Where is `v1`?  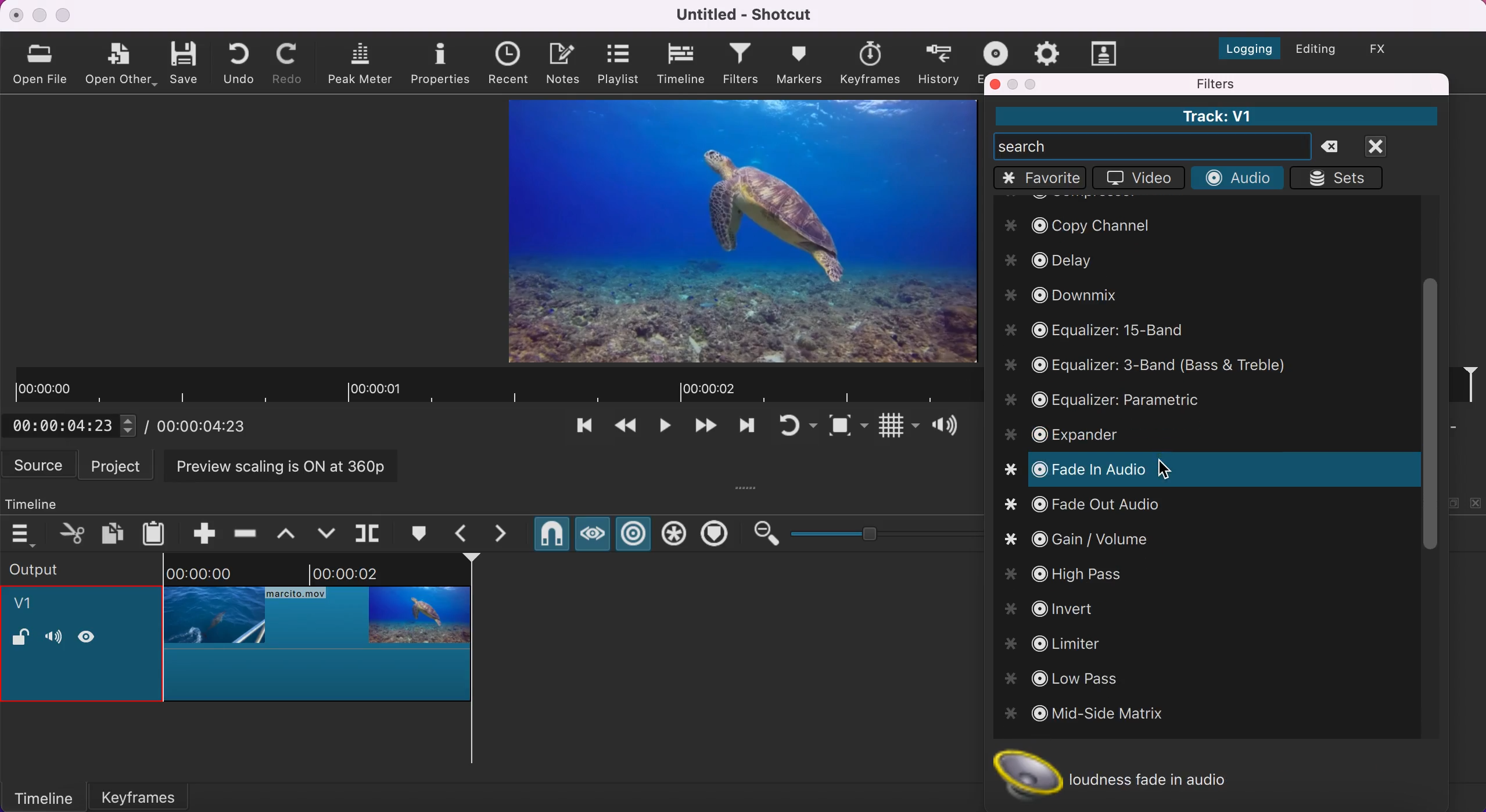
v1 is located at coordinates (30, 605).